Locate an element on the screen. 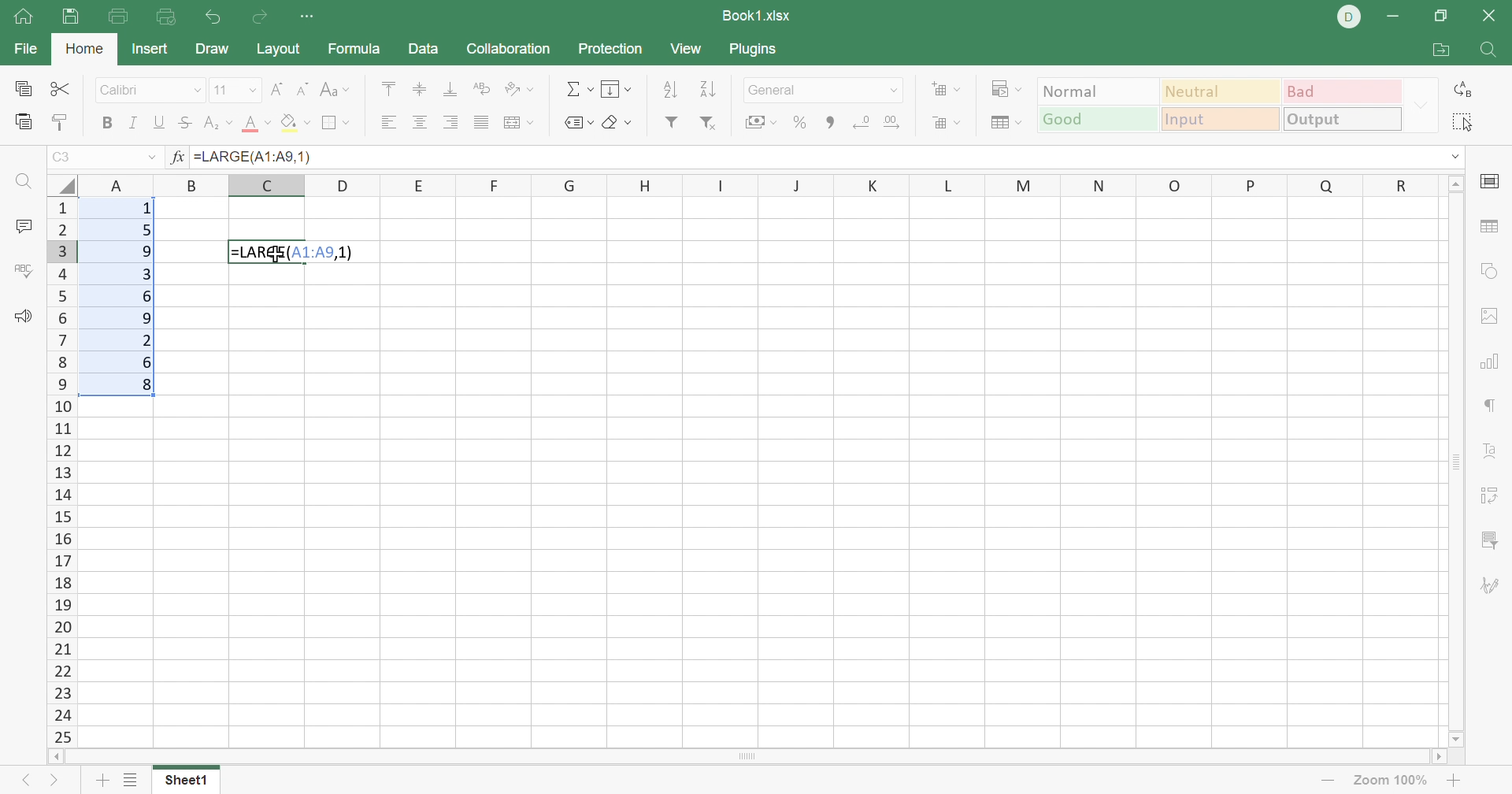  Zoom 100% is located at coordinates (1390, 781).